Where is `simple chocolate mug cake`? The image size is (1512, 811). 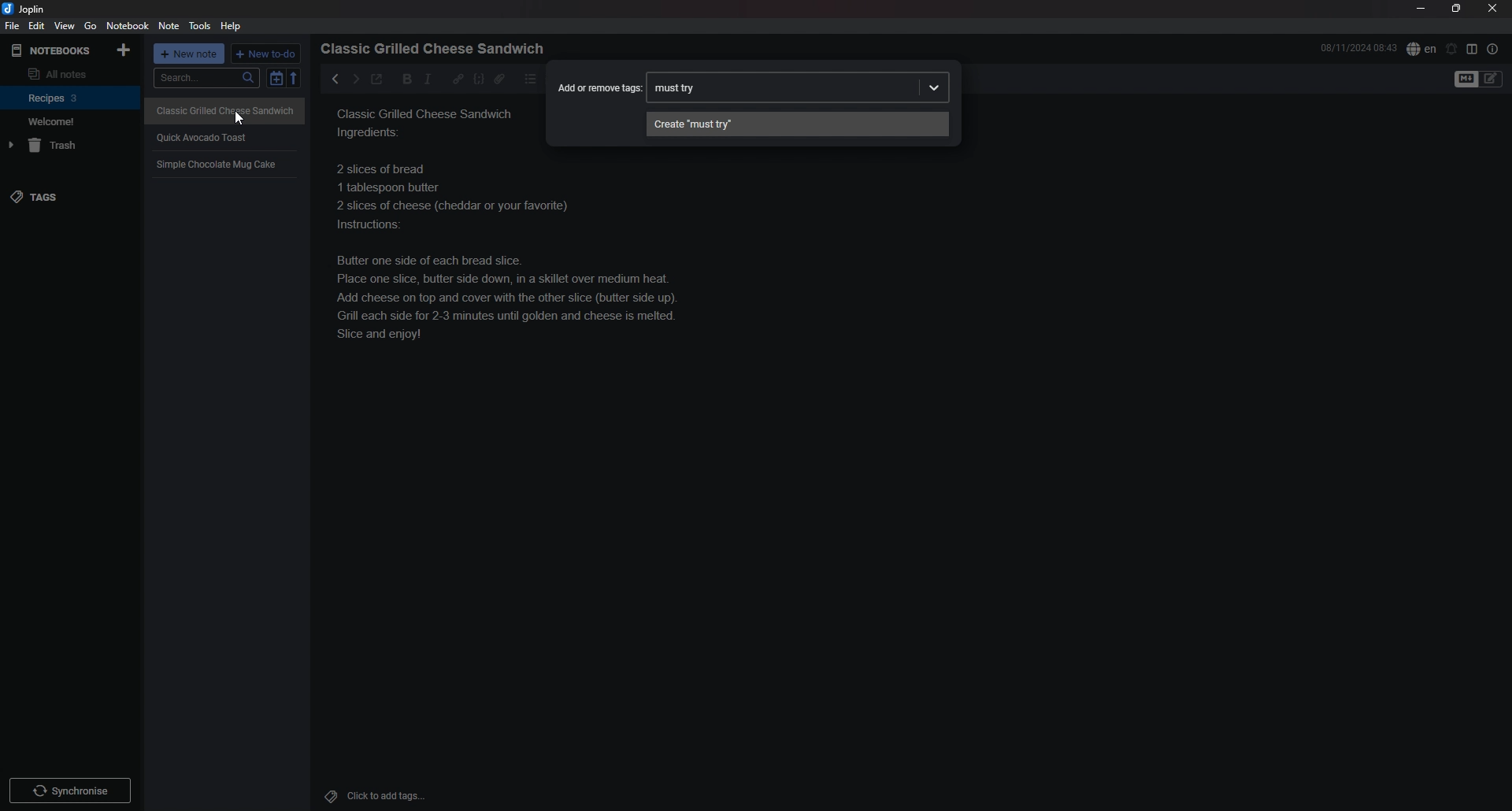 simple chocolate mug cake is located at coordinates (540, 274).